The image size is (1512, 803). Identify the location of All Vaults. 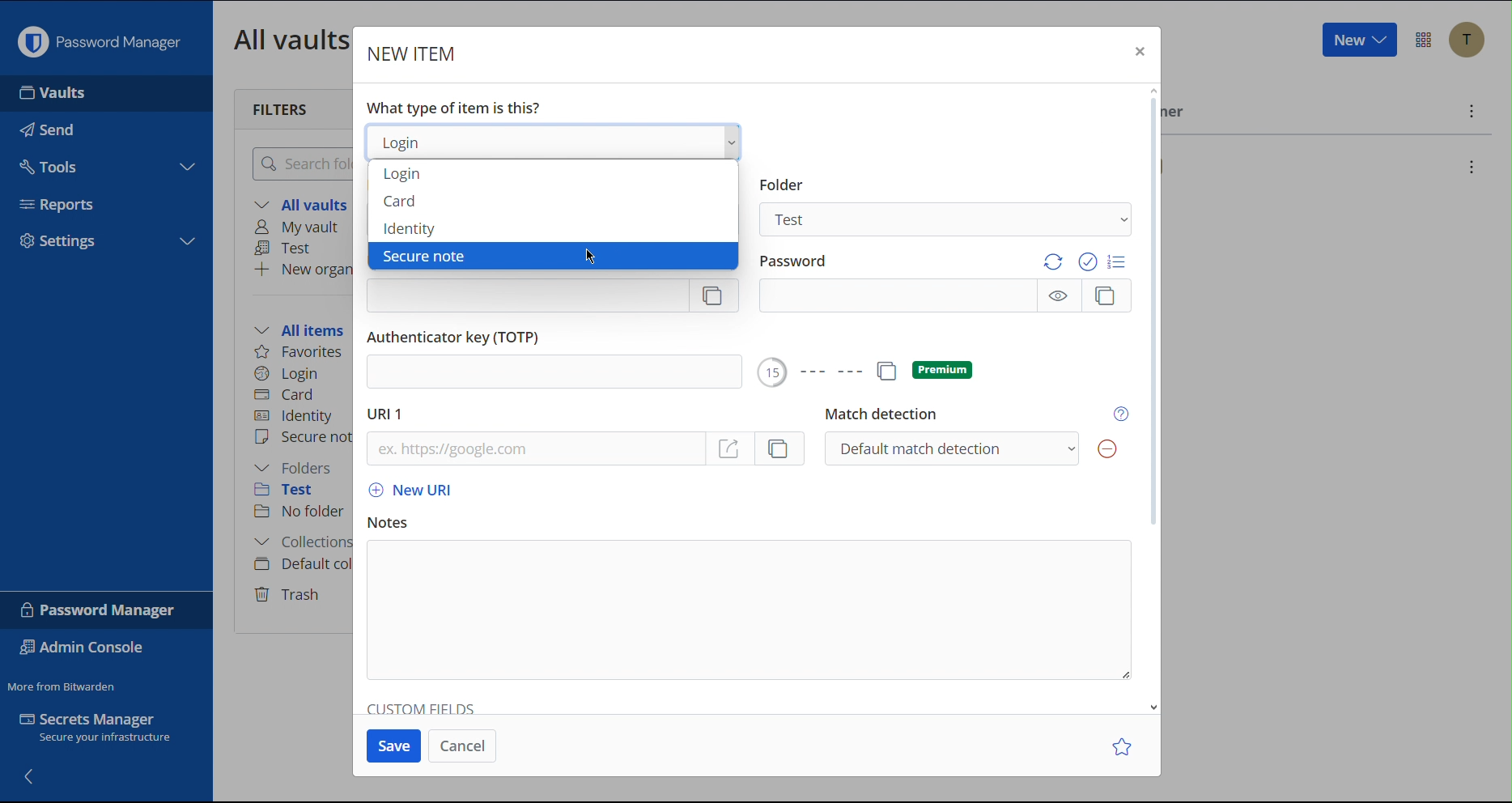
(287, 39).